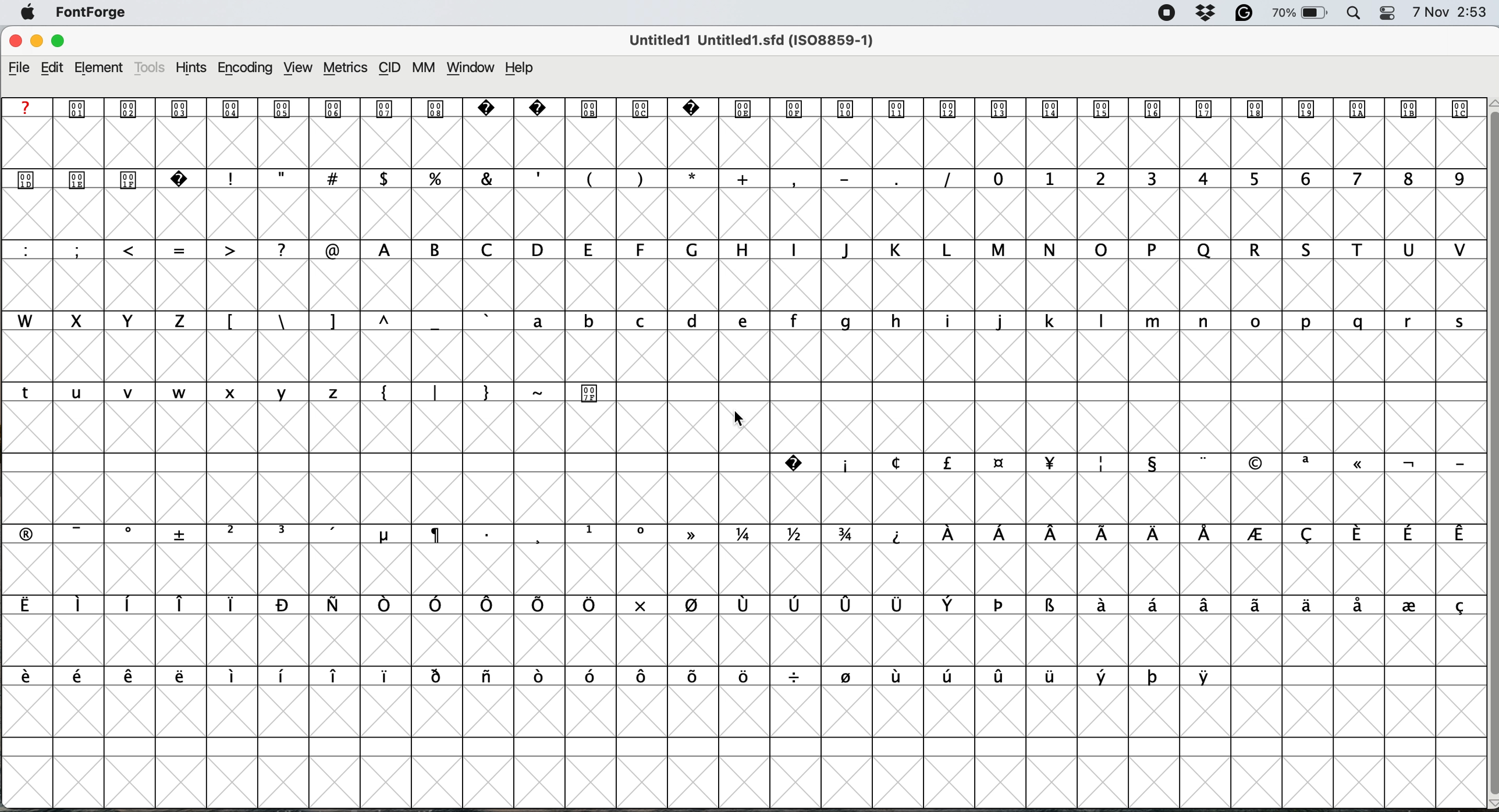 Image resolution: width=1499 pixels, height=812 pixels. Describe the element at coordinates (1118, 462) in the screenshot. I see `special characters` at that location.